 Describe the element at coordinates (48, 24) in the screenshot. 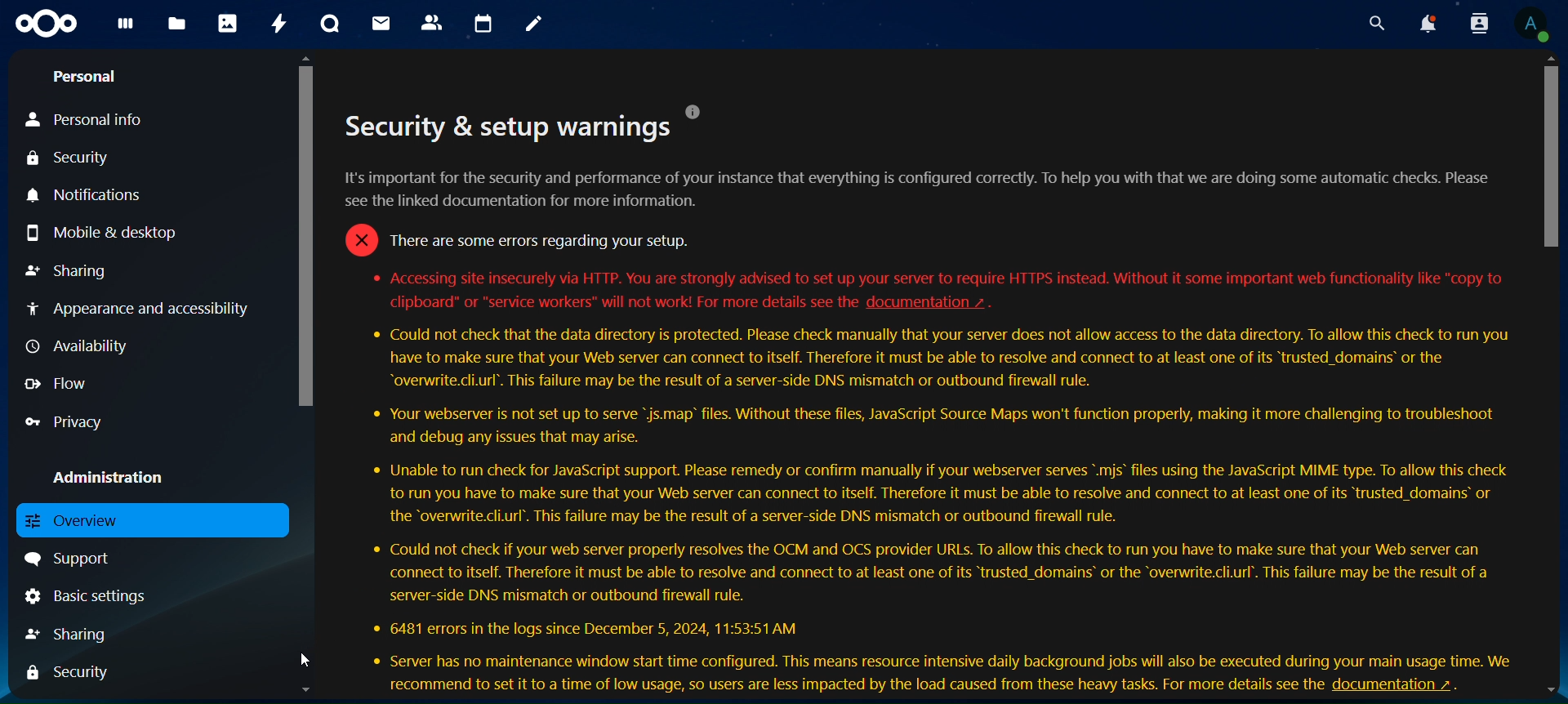

I see `icon` at that location.